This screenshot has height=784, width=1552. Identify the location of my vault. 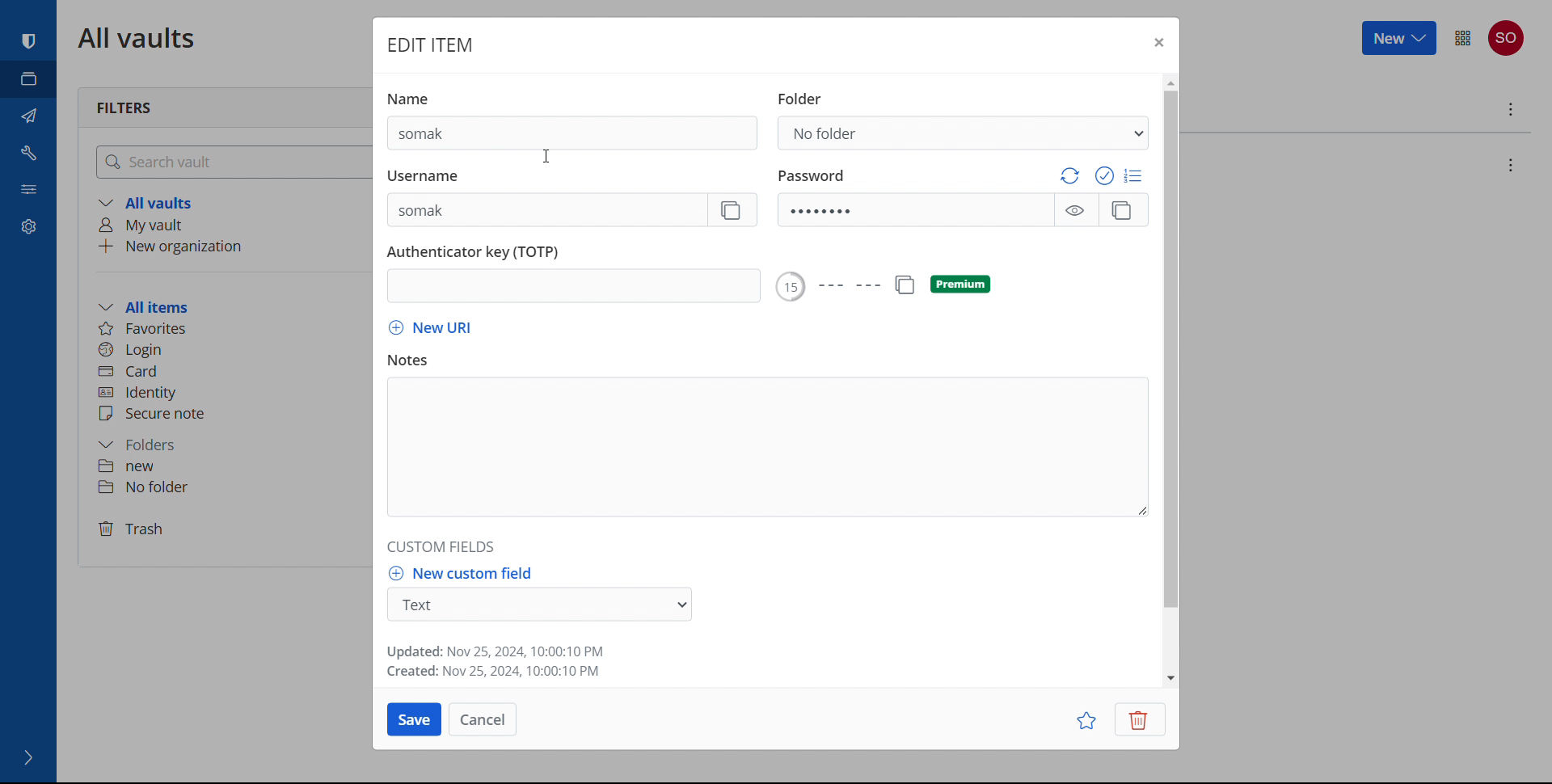
(232, 225).